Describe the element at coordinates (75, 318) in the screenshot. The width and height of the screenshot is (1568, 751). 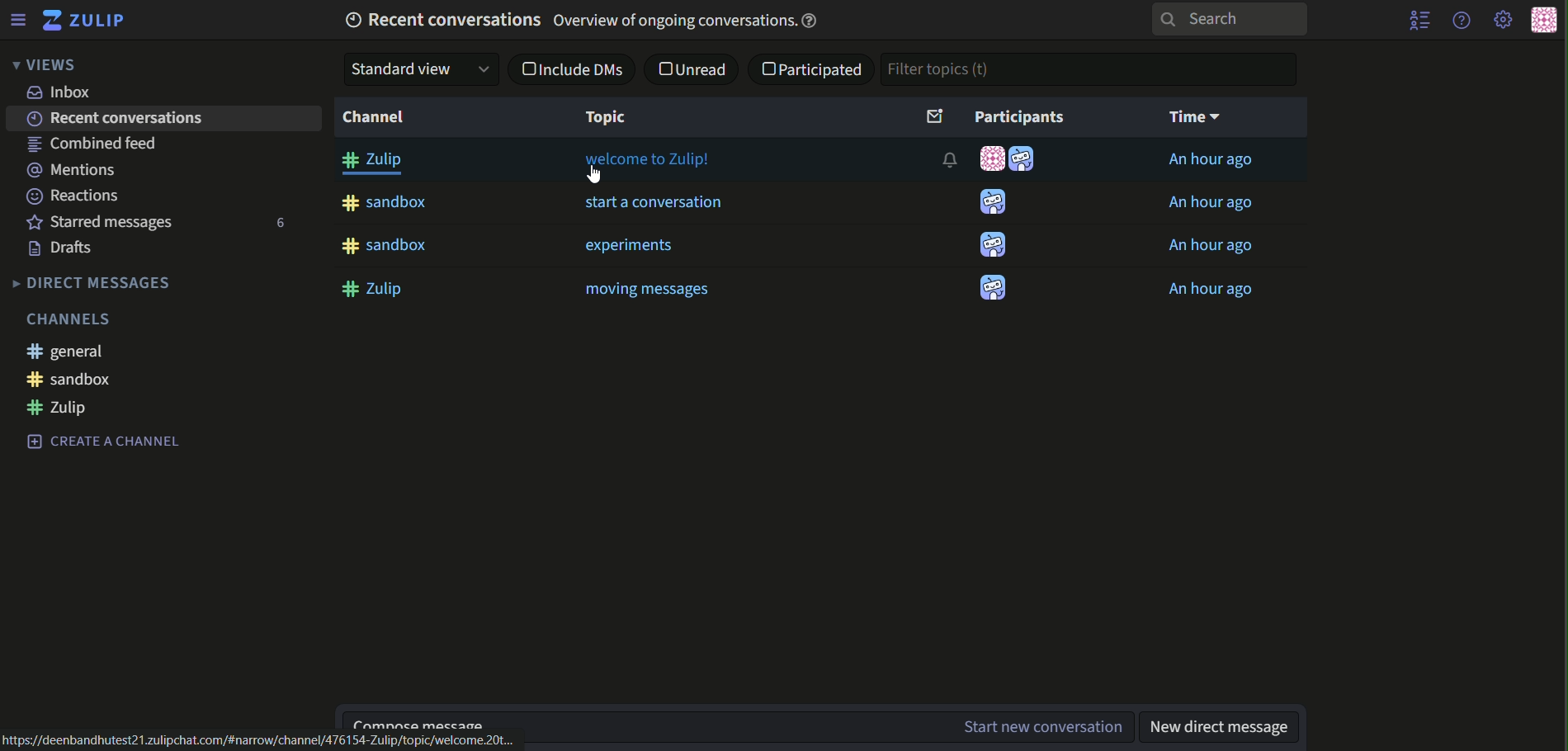
I see `text` at that location.